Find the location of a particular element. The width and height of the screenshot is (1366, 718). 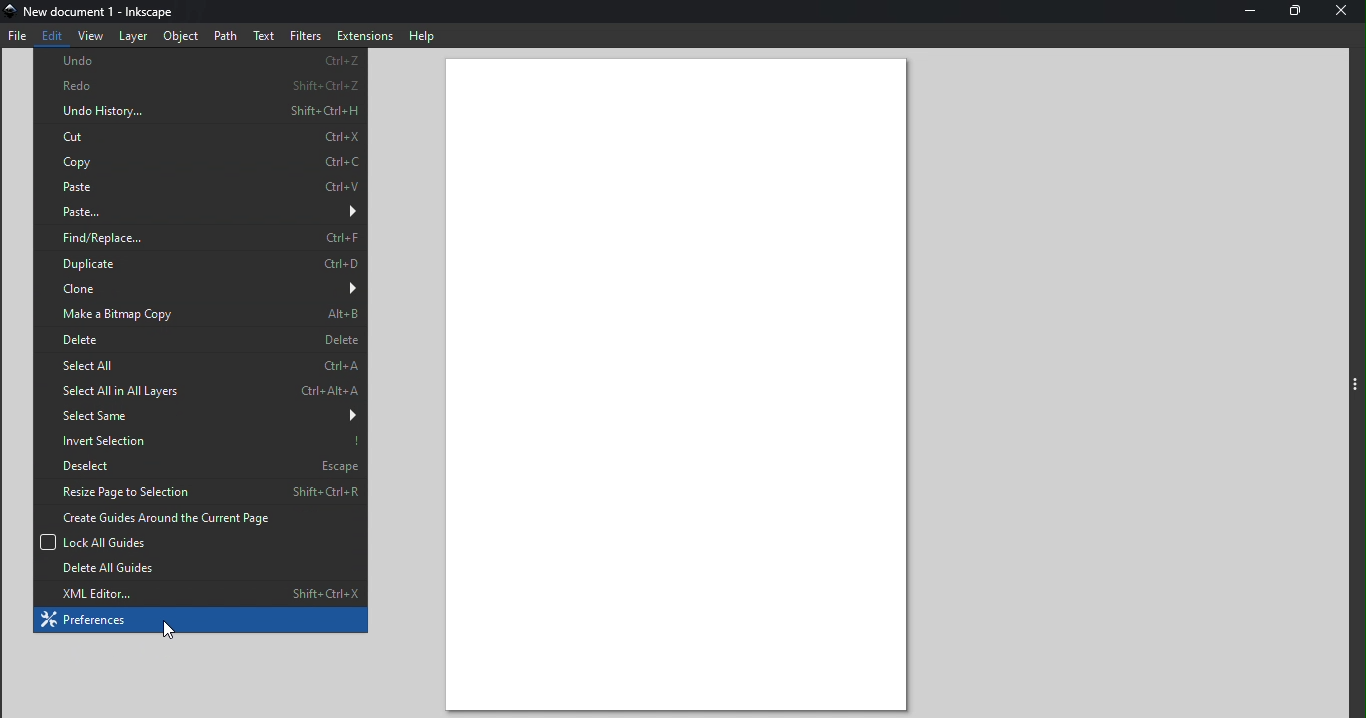

Redo is located at coordinates (200, 87).